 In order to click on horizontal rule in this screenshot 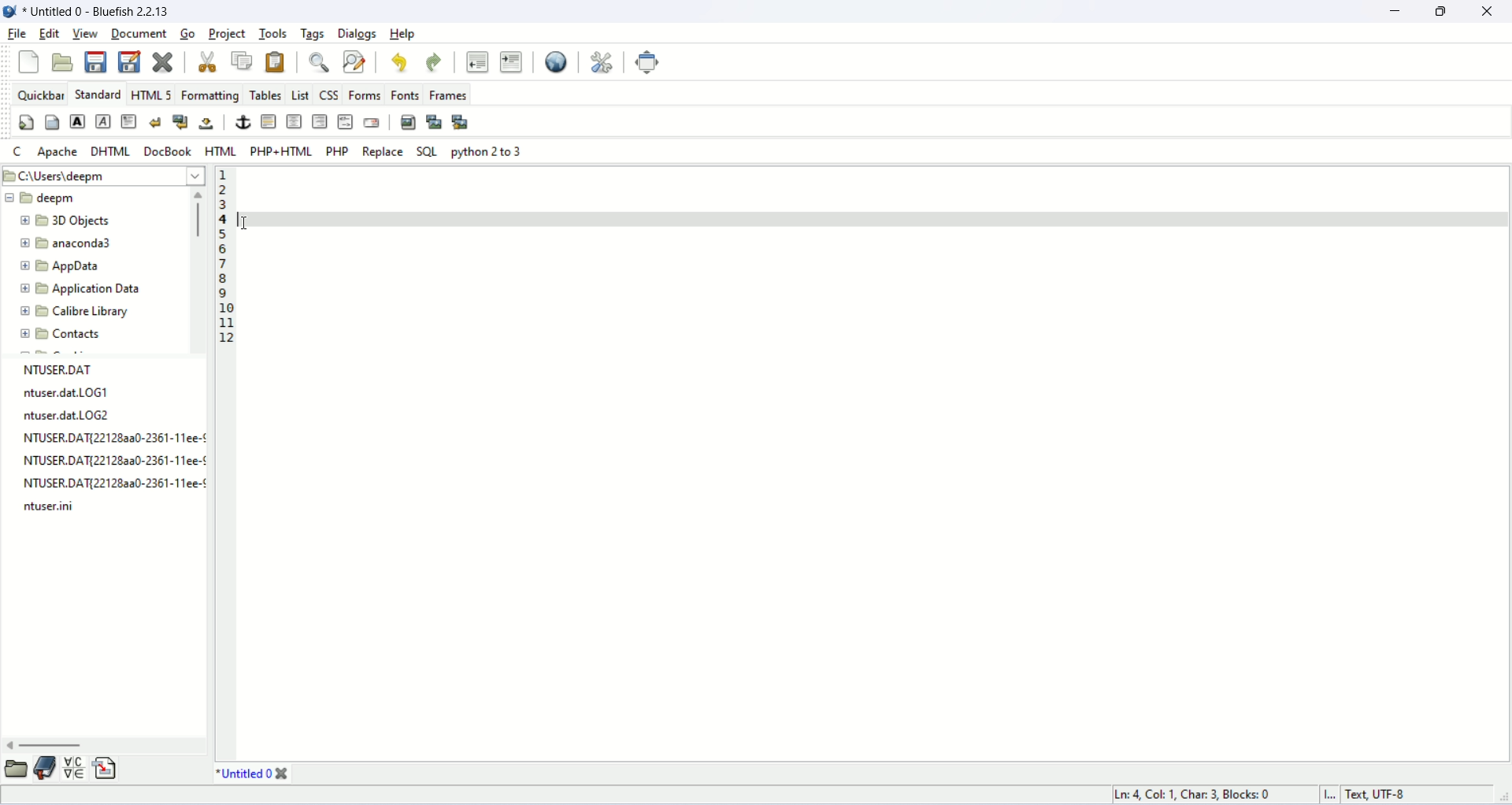, I will do `click(266, 120)`.